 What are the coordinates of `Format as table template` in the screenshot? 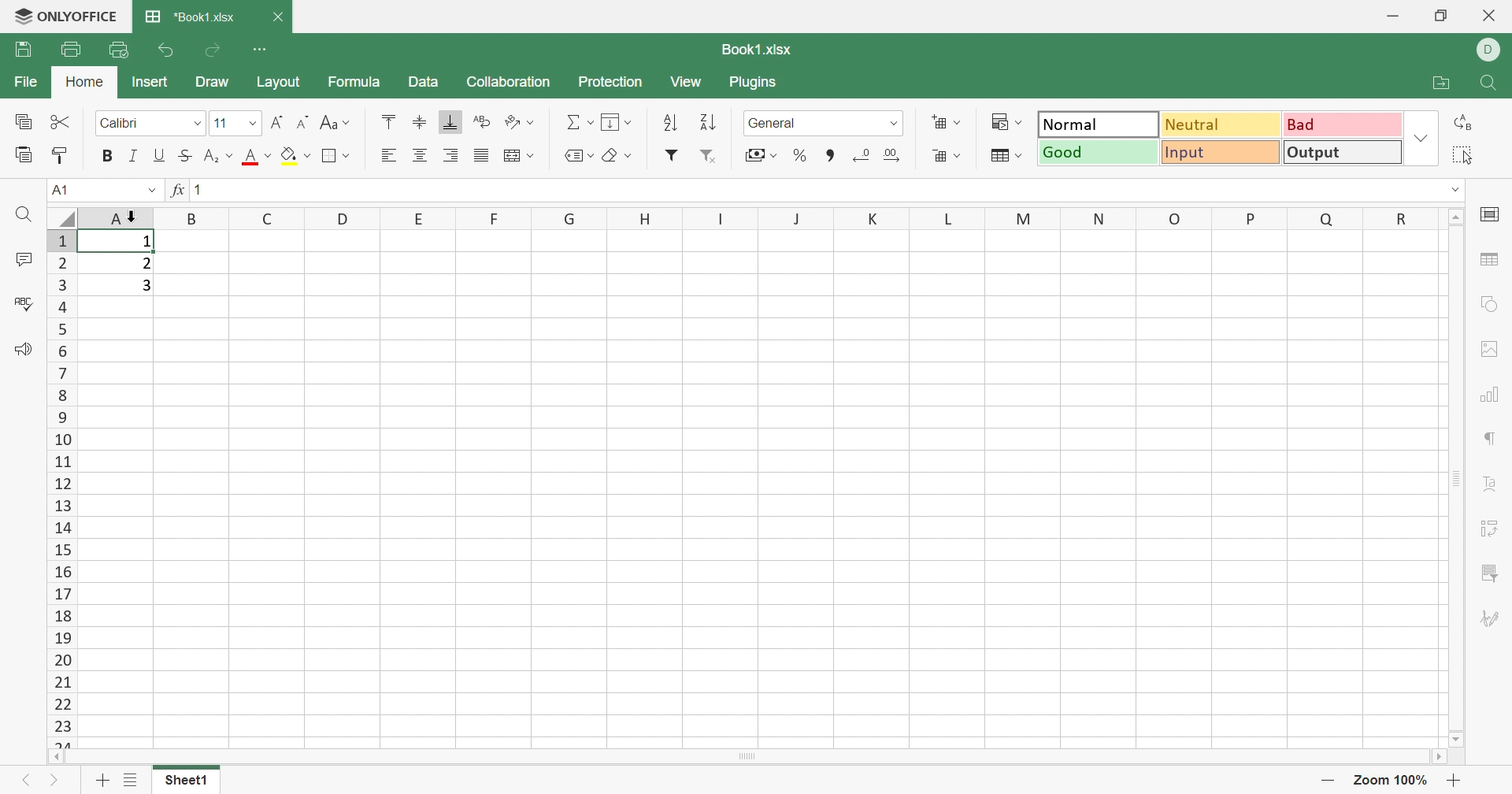 It's located at (1006, 154).